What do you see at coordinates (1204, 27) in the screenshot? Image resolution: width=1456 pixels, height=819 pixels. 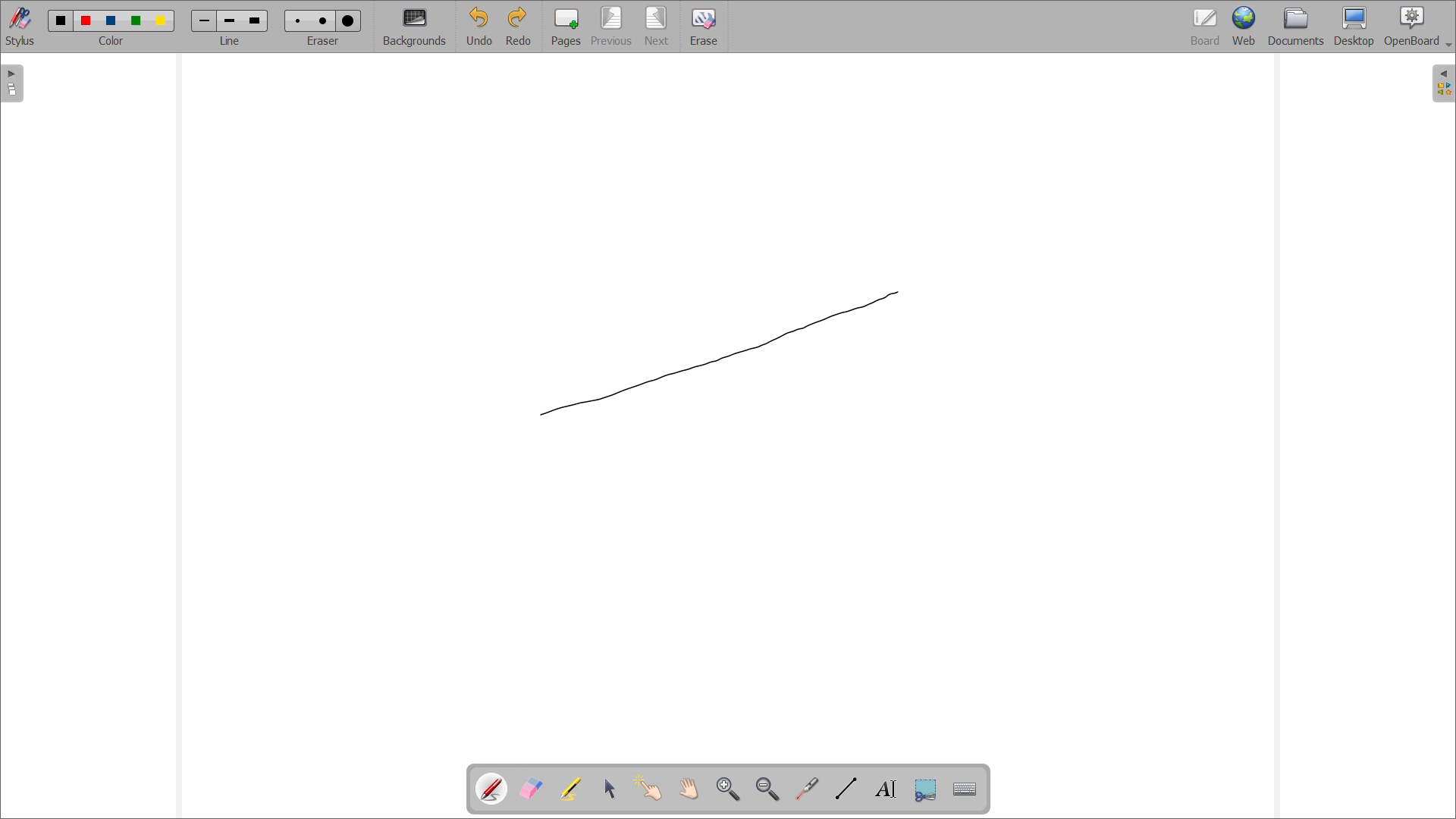 I see `board` at bounding box center [1204, 27].